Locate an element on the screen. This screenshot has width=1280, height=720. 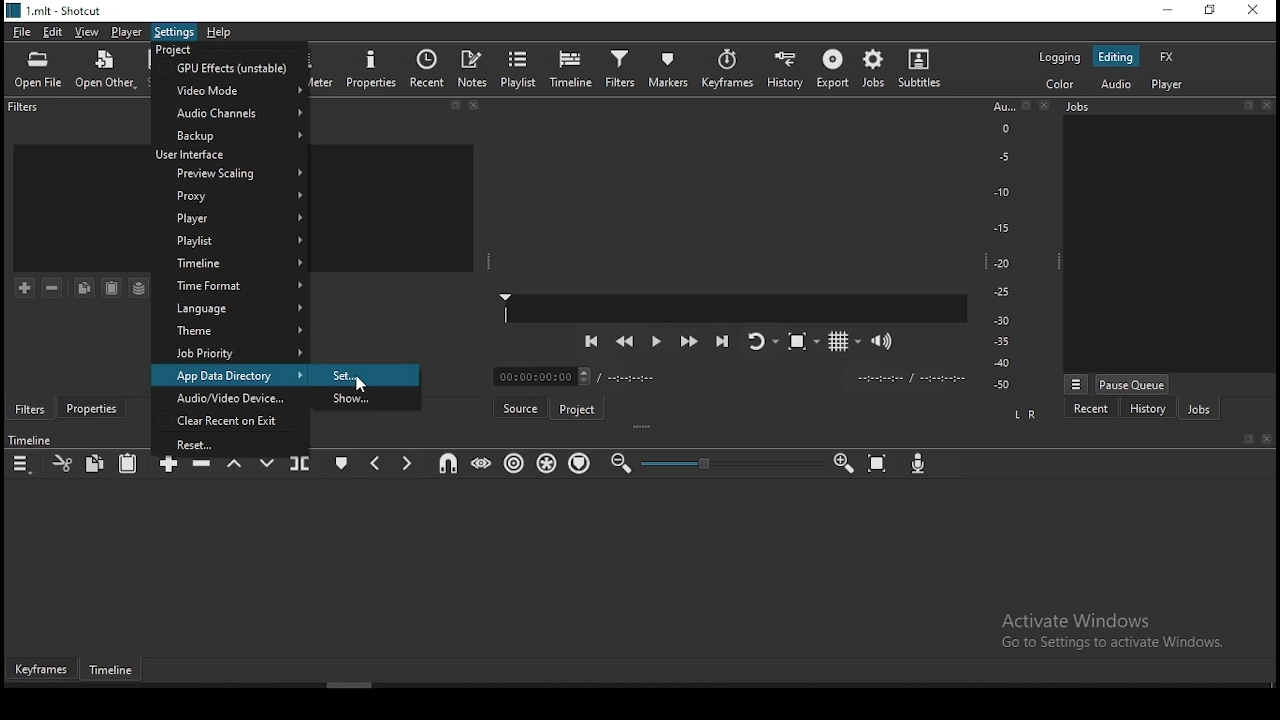
audio is located at coordinates (1119, 85).